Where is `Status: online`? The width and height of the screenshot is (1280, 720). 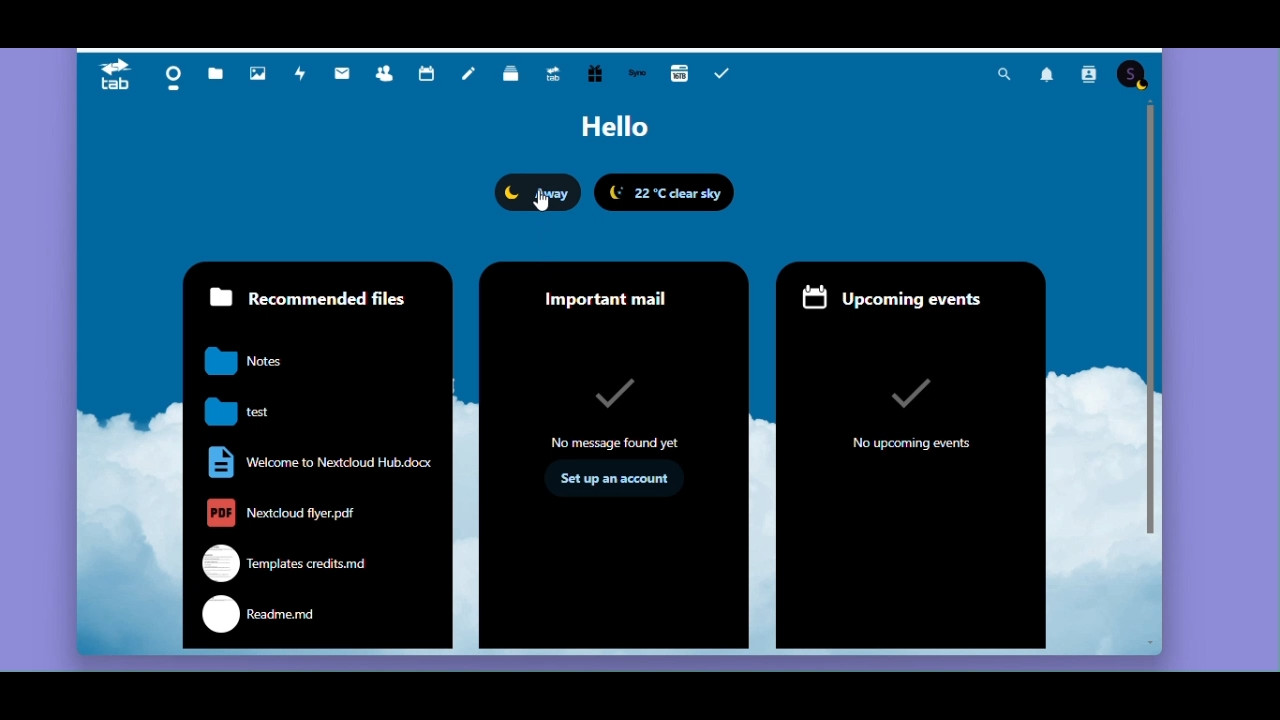
Status: online is located at coordinates (538, 192).